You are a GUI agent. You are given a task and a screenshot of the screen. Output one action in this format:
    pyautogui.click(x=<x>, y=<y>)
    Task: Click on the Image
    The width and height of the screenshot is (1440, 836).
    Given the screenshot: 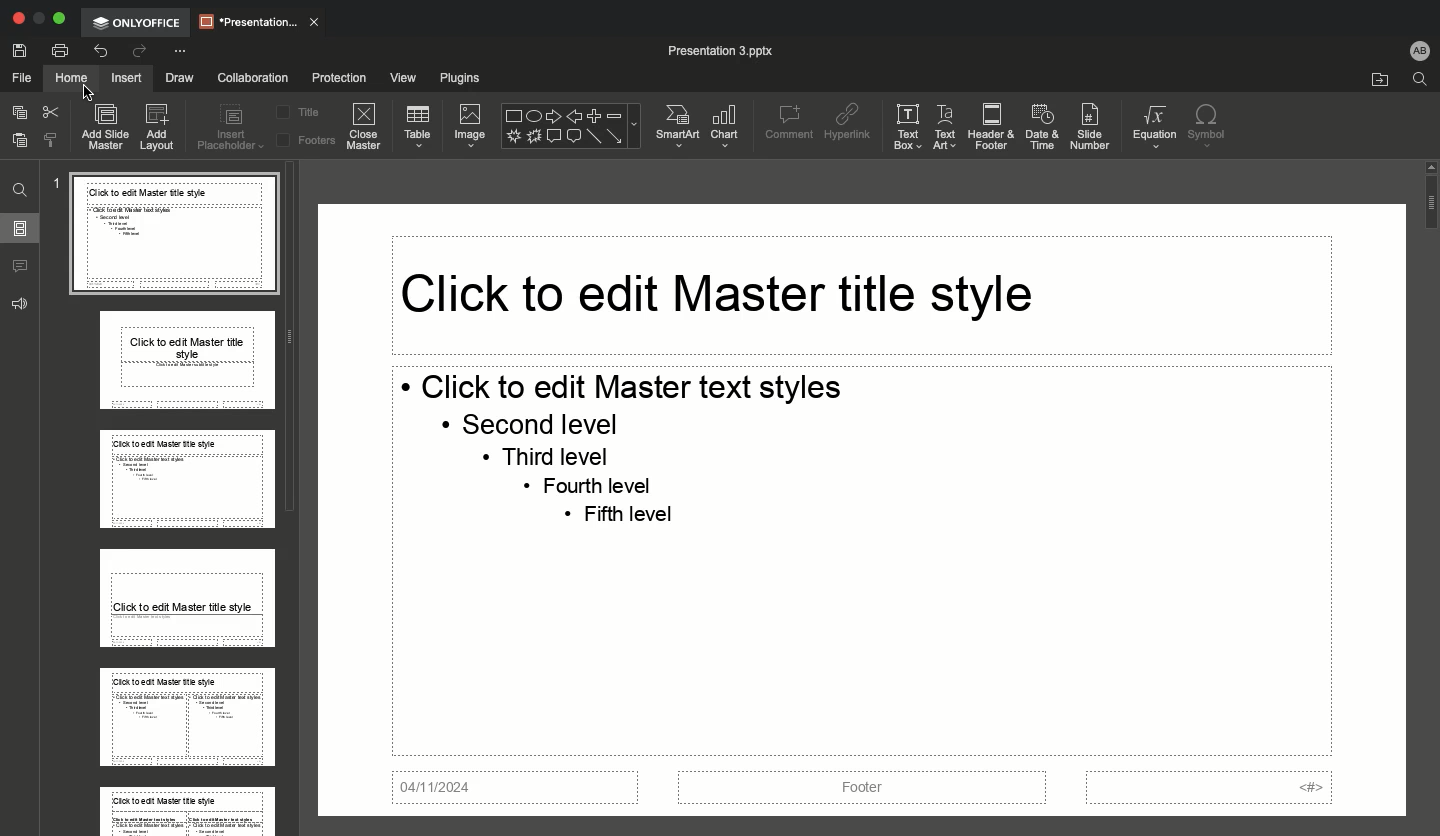 What is the action you would take?
    pyautogui.click(x=467, y=122)
    